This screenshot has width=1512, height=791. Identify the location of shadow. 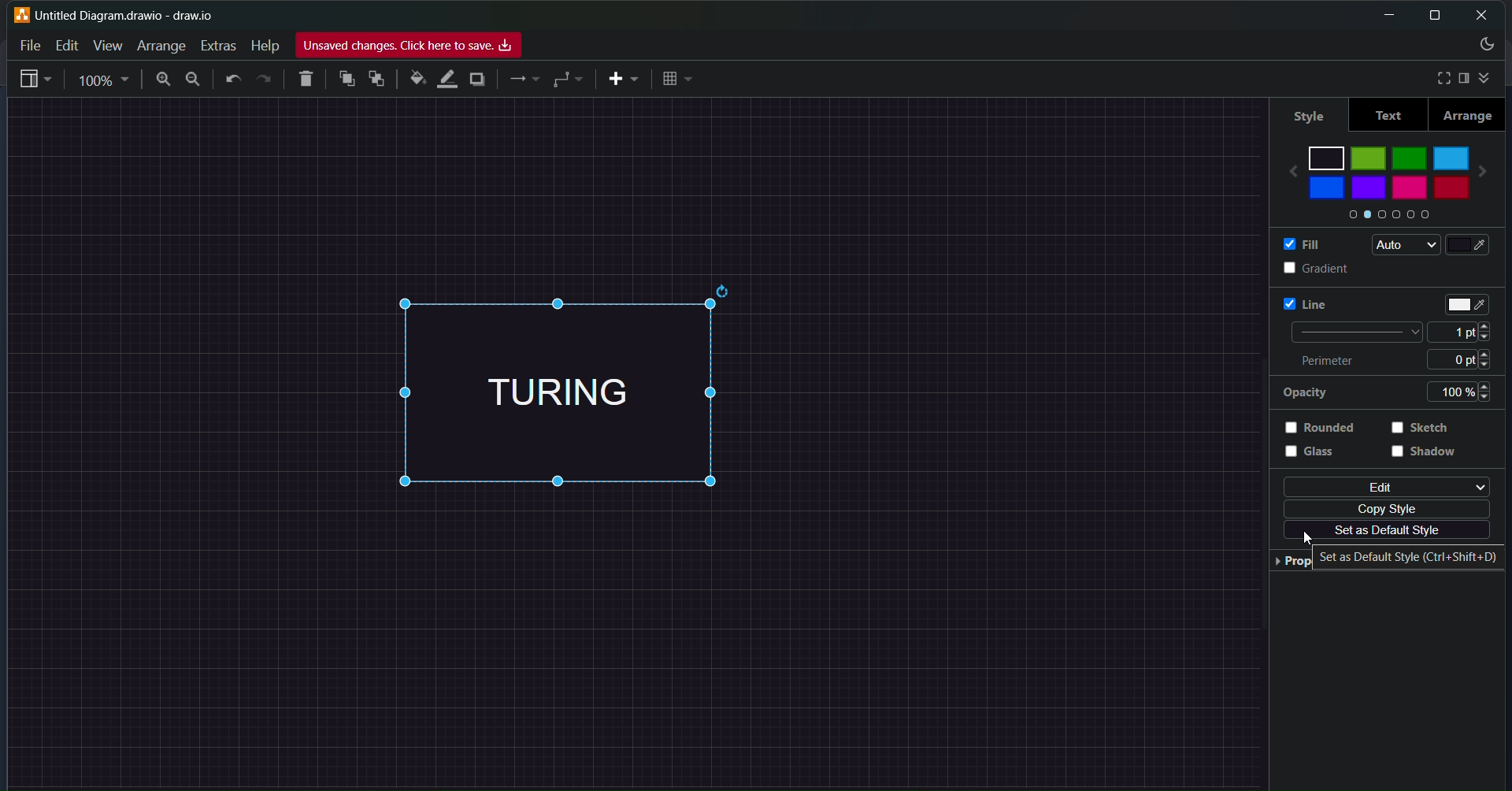
(1427, 458).